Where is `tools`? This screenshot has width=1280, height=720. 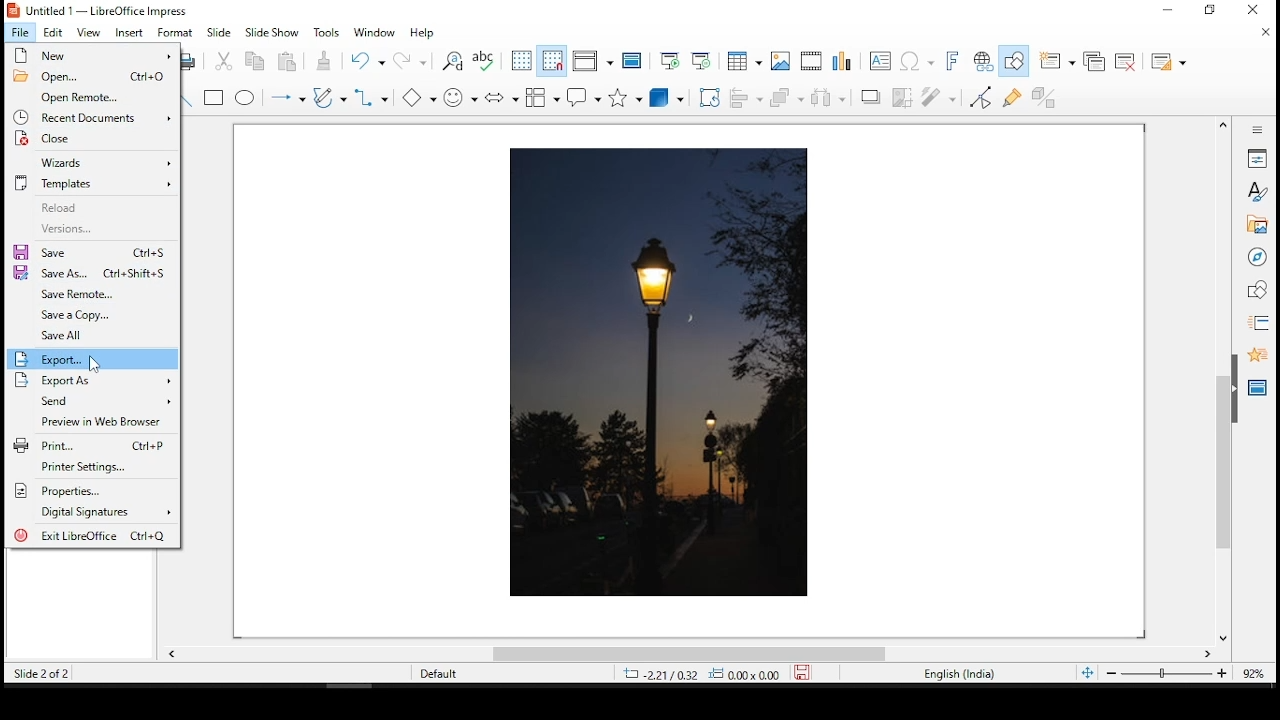 tools is located at coordinates (331, 36).